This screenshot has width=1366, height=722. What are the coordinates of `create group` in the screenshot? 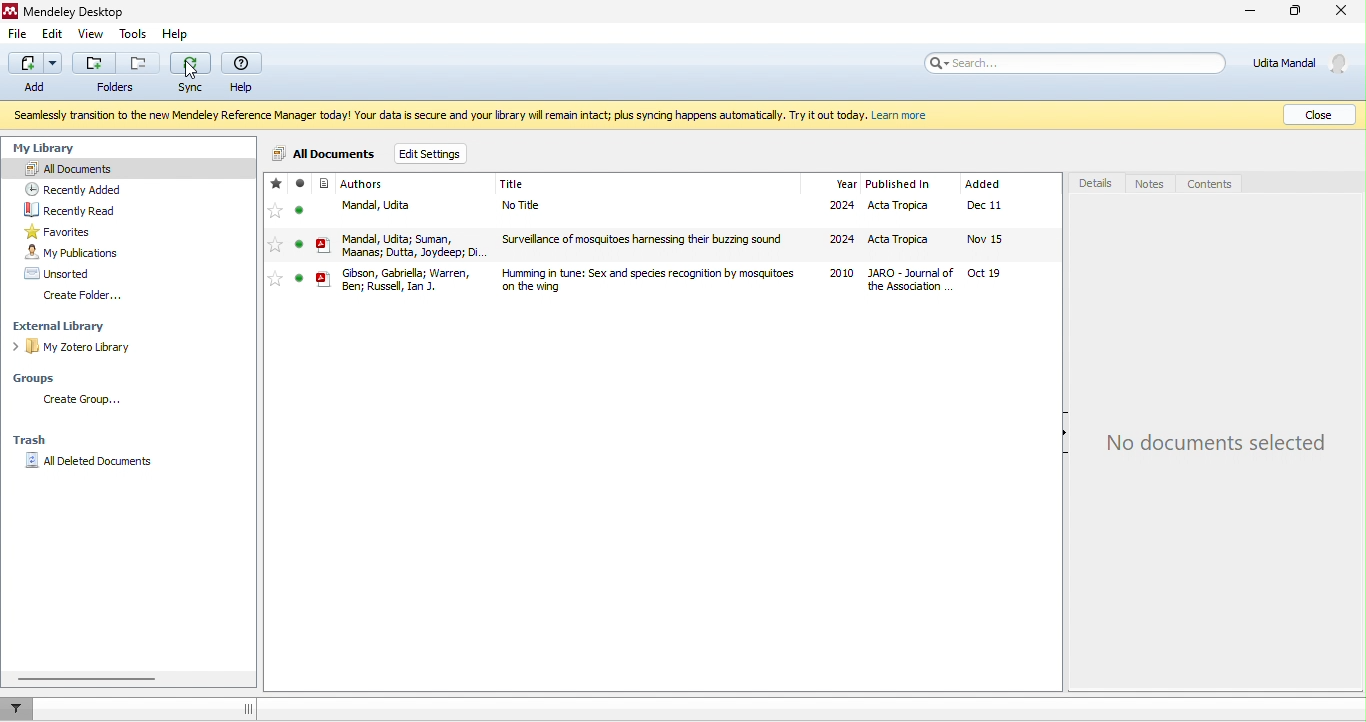 It's located at (81, 398).